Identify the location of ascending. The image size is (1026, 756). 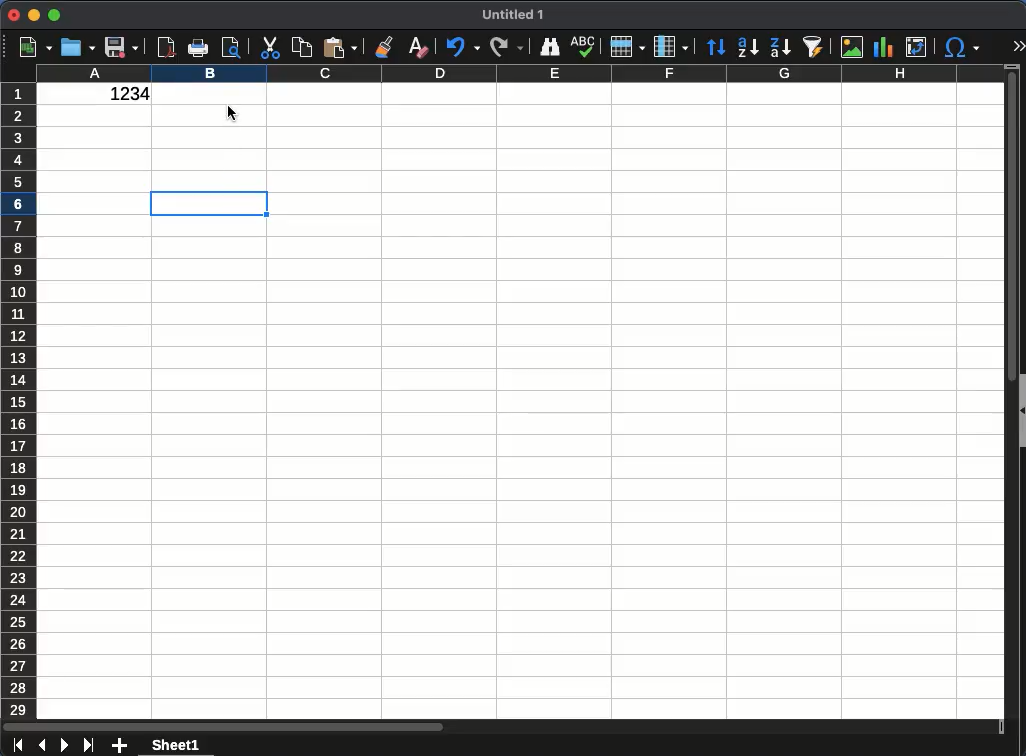
(747, 47).